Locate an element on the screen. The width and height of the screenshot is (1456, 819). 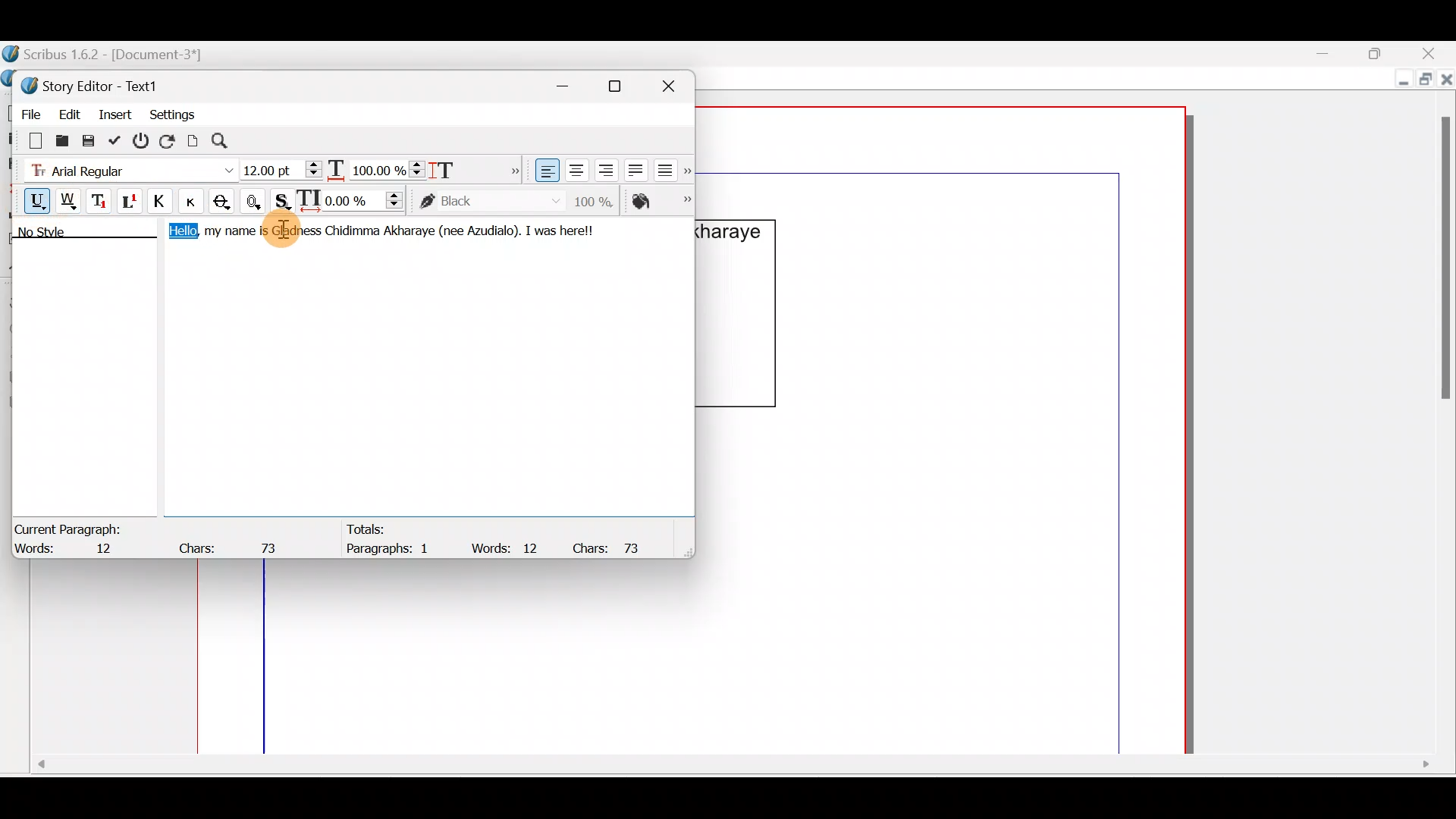
Scaling height of characters is located at coordinates (464, 165).